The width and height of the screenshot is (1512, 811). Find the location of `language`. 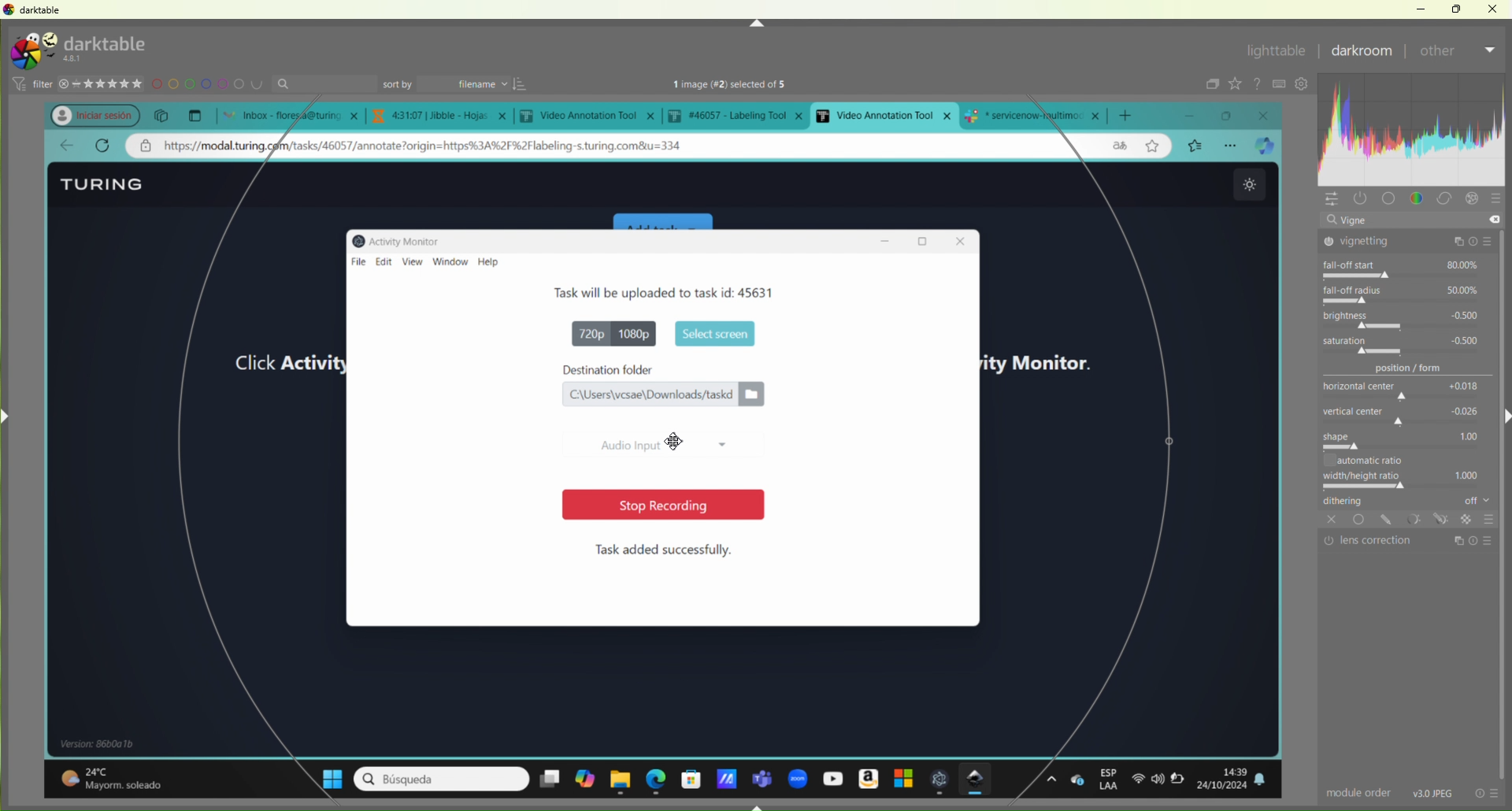

language is located at coordinates (1117, 146).